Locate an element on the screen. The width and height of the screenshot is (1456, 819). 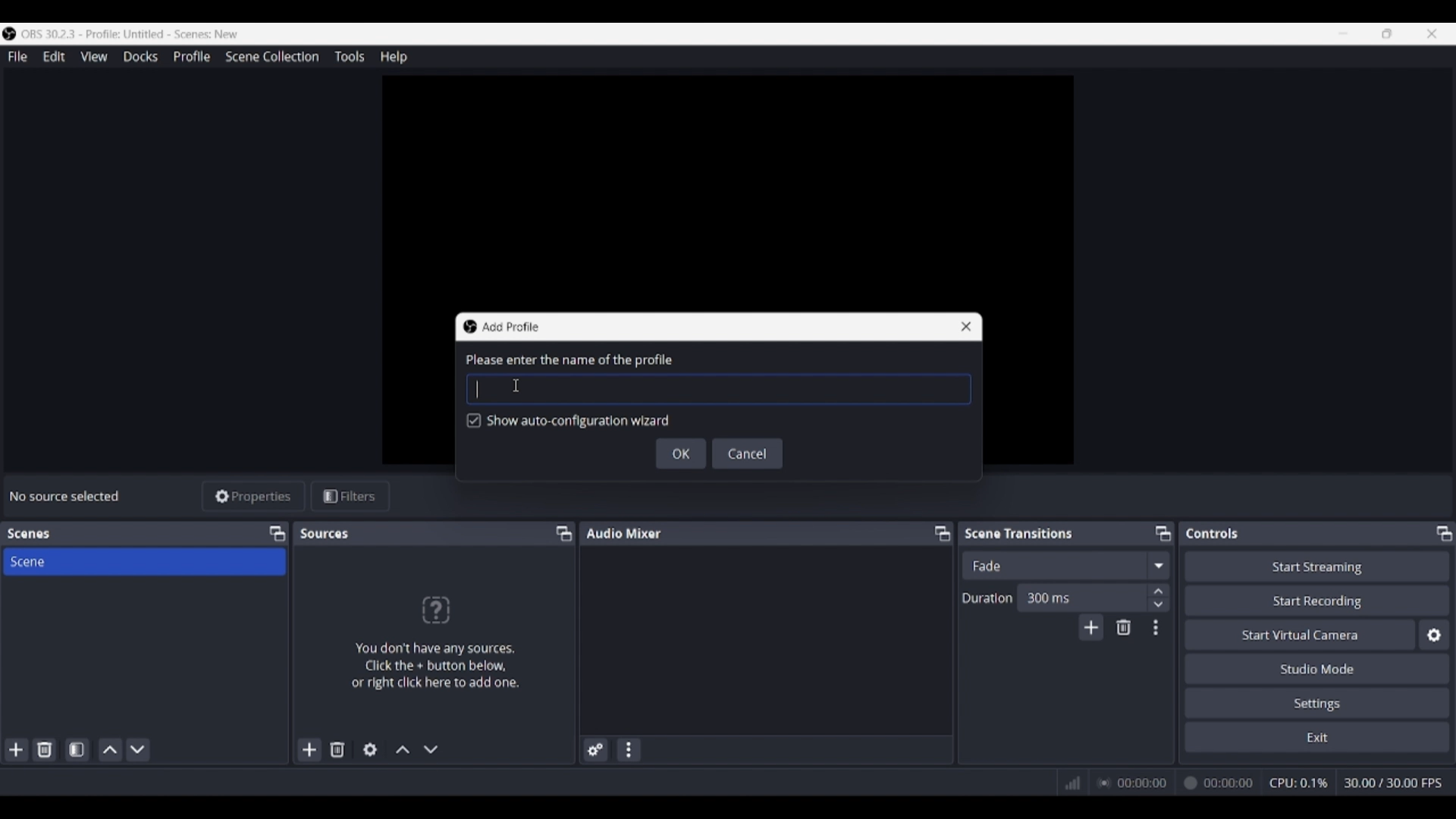
Start virtual camera is located at coordinates (1300, 634).